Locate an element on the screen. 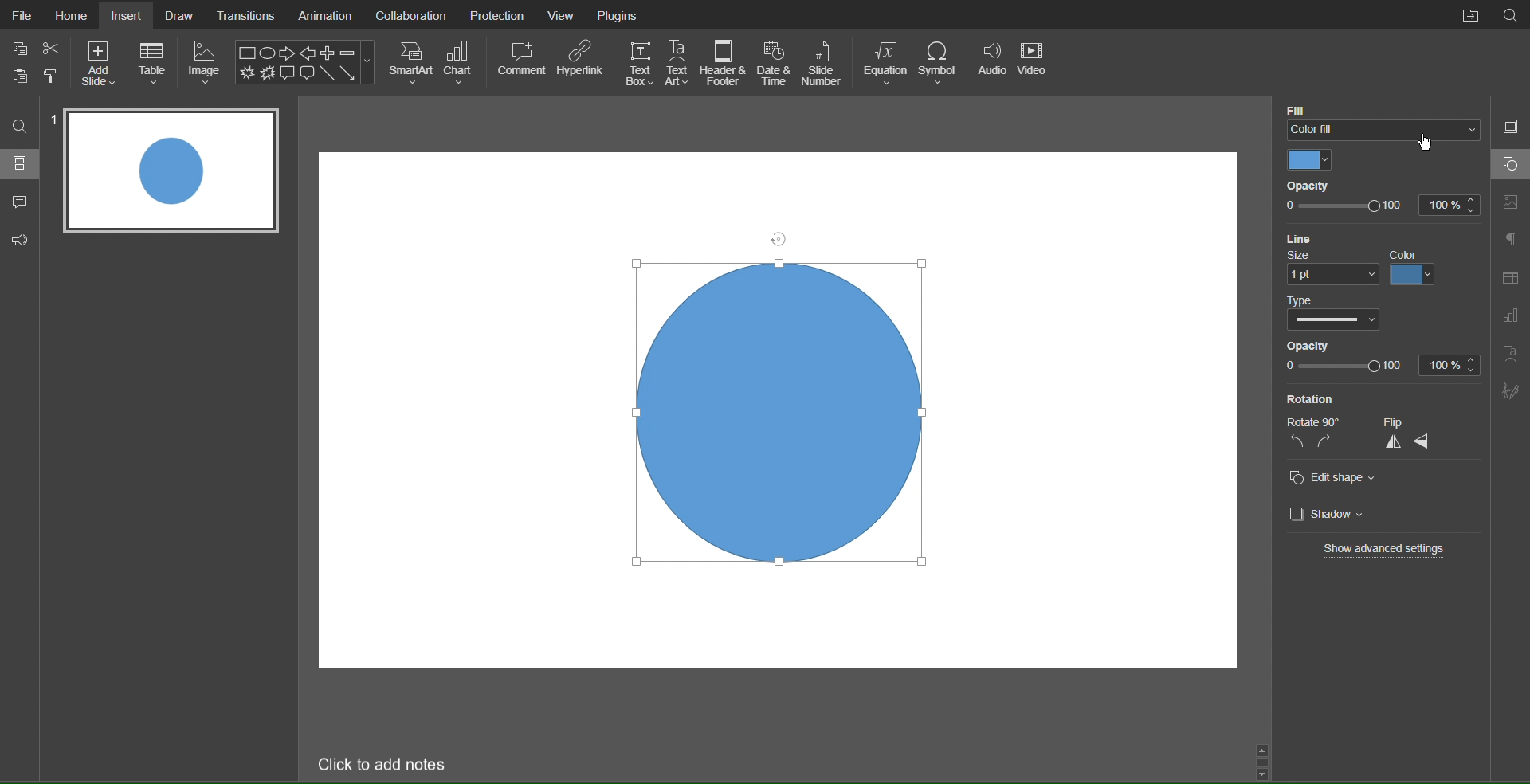 This screenshot has height=784, width=1530. flip is located at coordinates (1406, 421).